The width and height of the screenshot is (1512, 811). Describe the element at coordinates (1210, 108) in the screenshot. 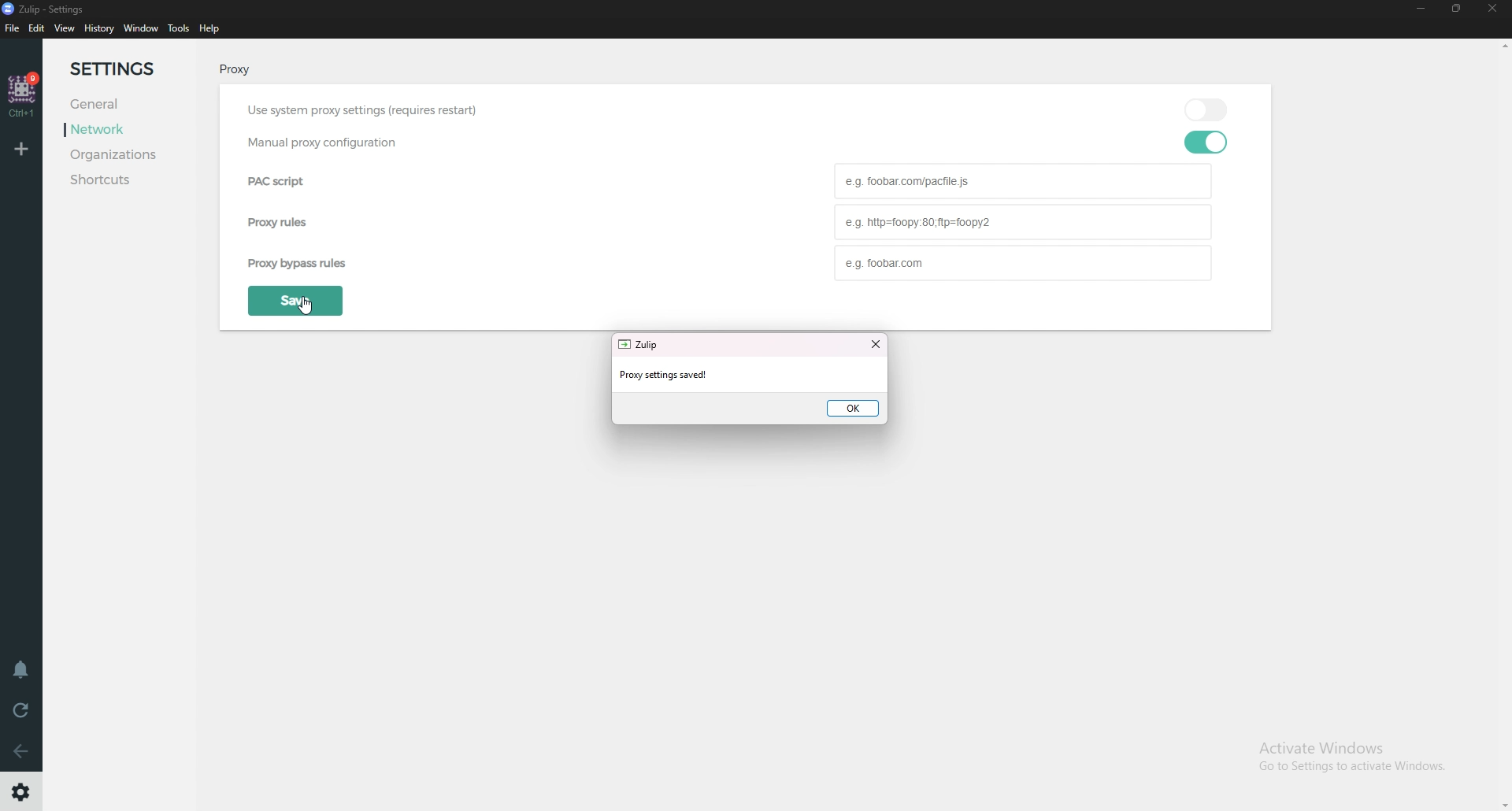

I see `toggle` at that location.